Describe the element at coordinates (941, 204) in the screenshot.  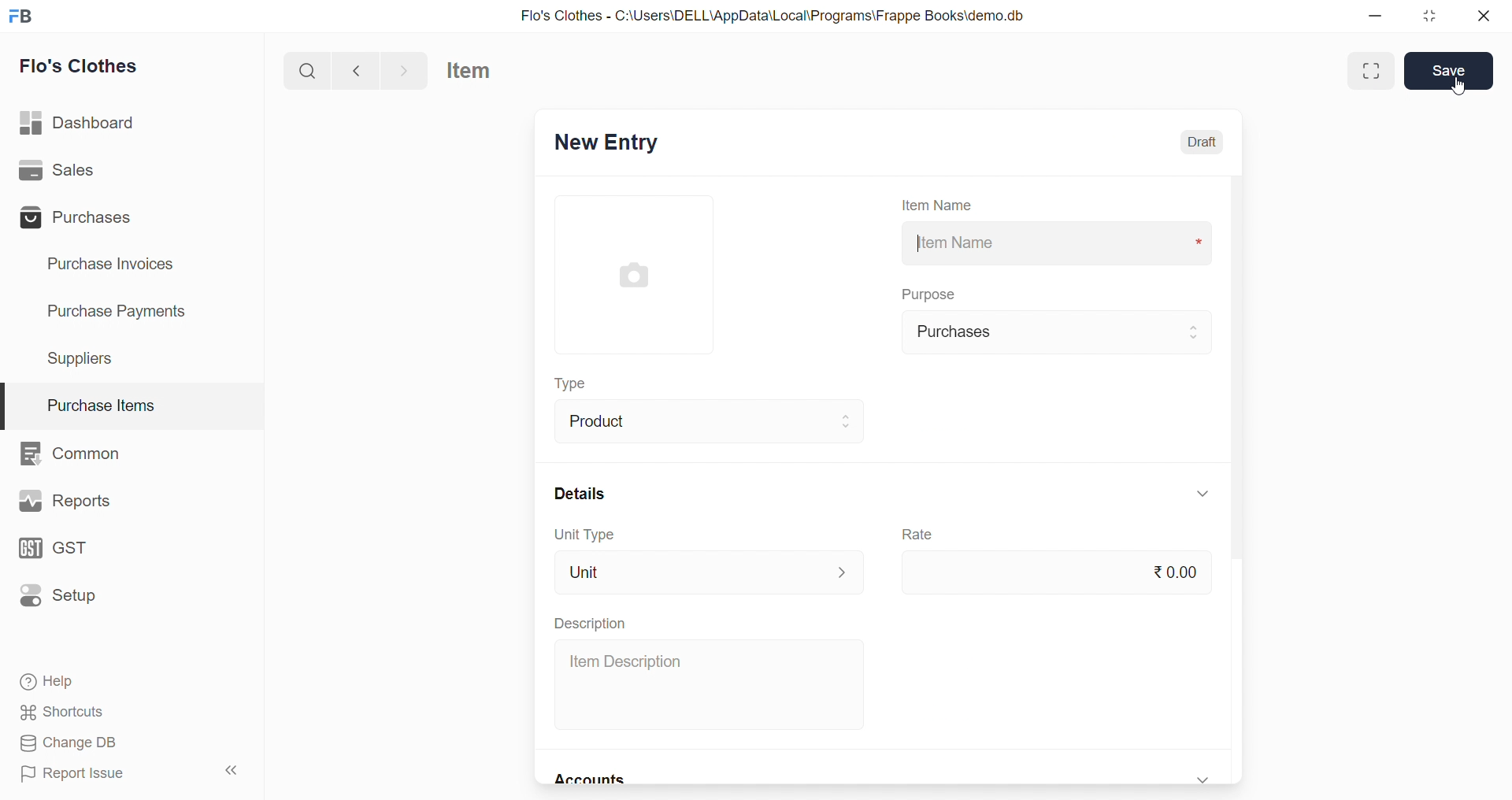
I see `Item Name` at that location.